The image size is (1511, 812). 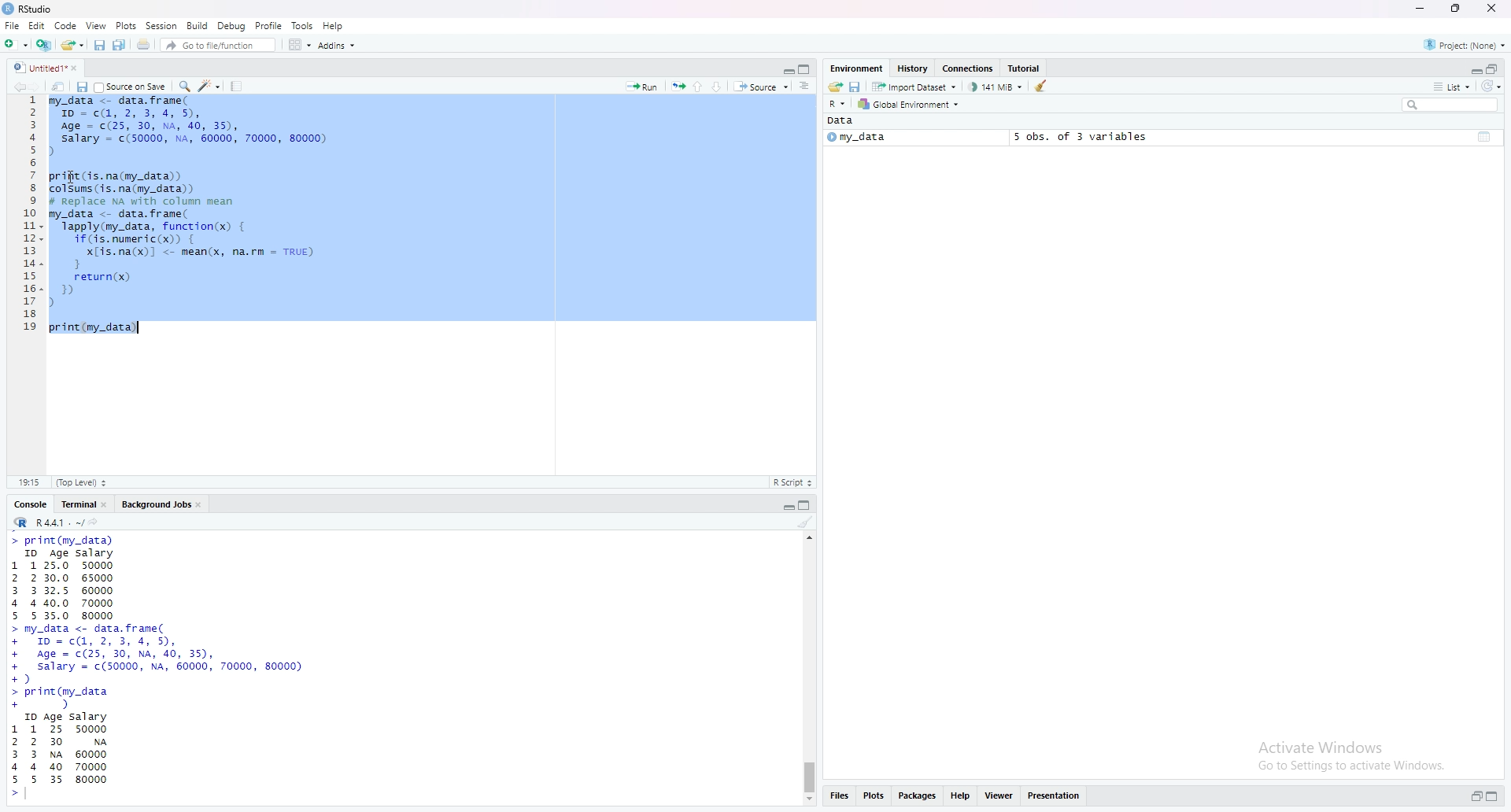 I want to click on collapse, so click(x=807, y=69).